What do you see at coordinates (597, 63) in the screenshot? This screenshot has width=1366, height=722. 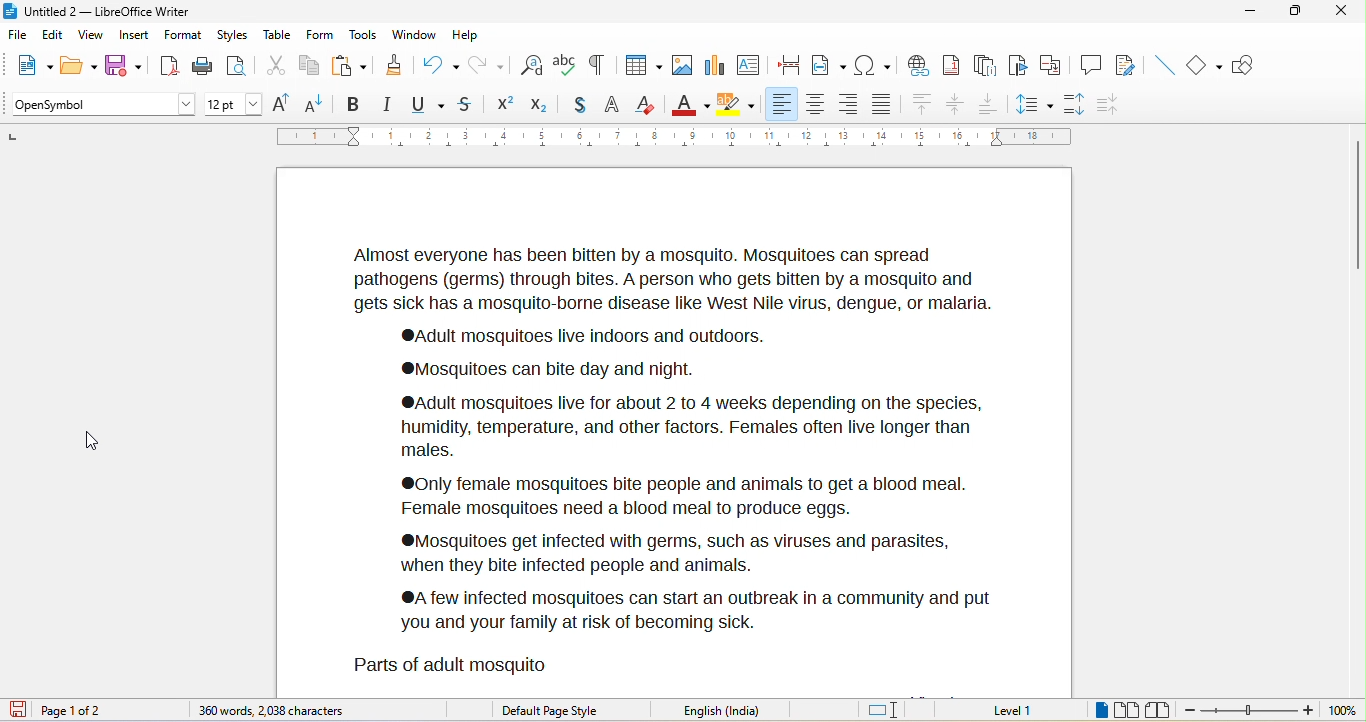 I see `toggle formatting marks` at bounding box center [597, 63].